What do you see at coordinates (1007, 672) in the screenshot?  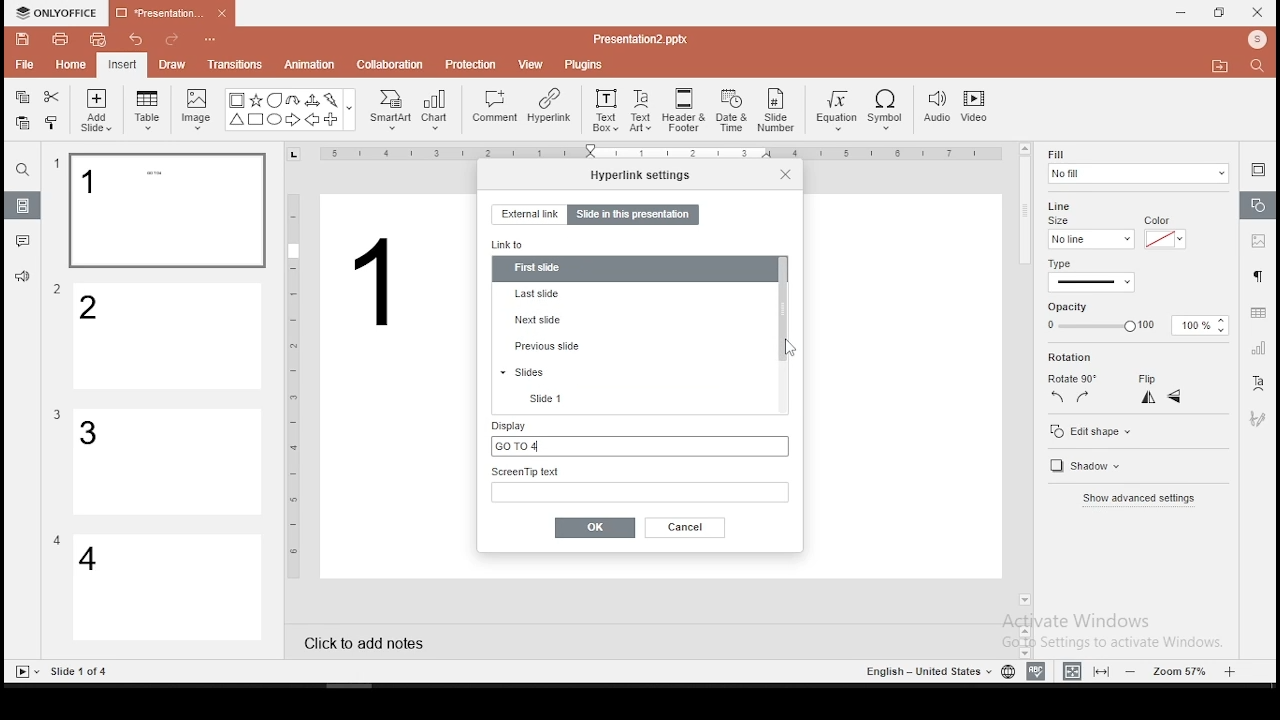 I see `language` at bounding box center [1007, 672].